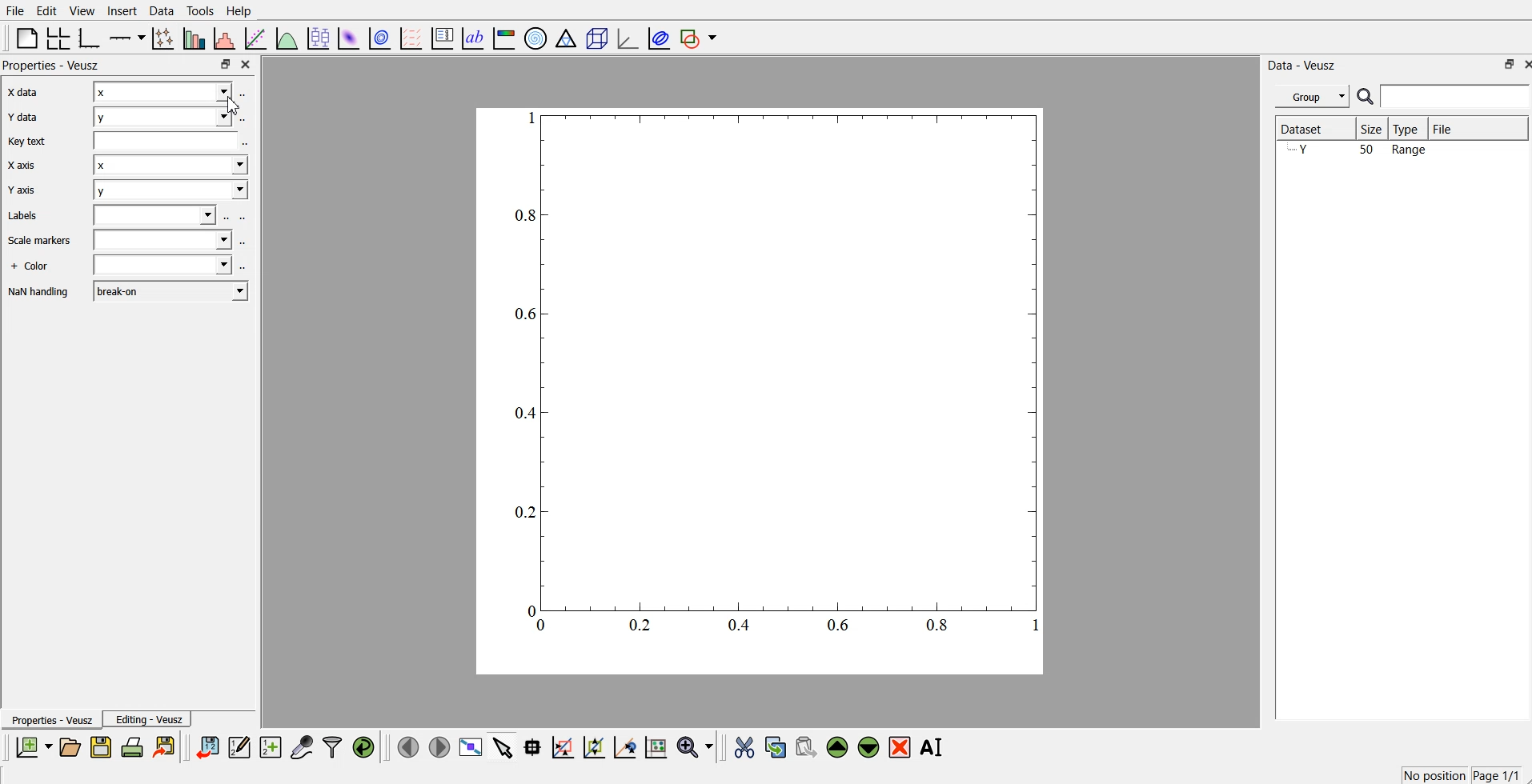 Image resolution: width=1532 pixels, height=784 pixels. Describe the element at coordinates (150, 719) in the screenshot. I see `Editing - Veusz` at that location.